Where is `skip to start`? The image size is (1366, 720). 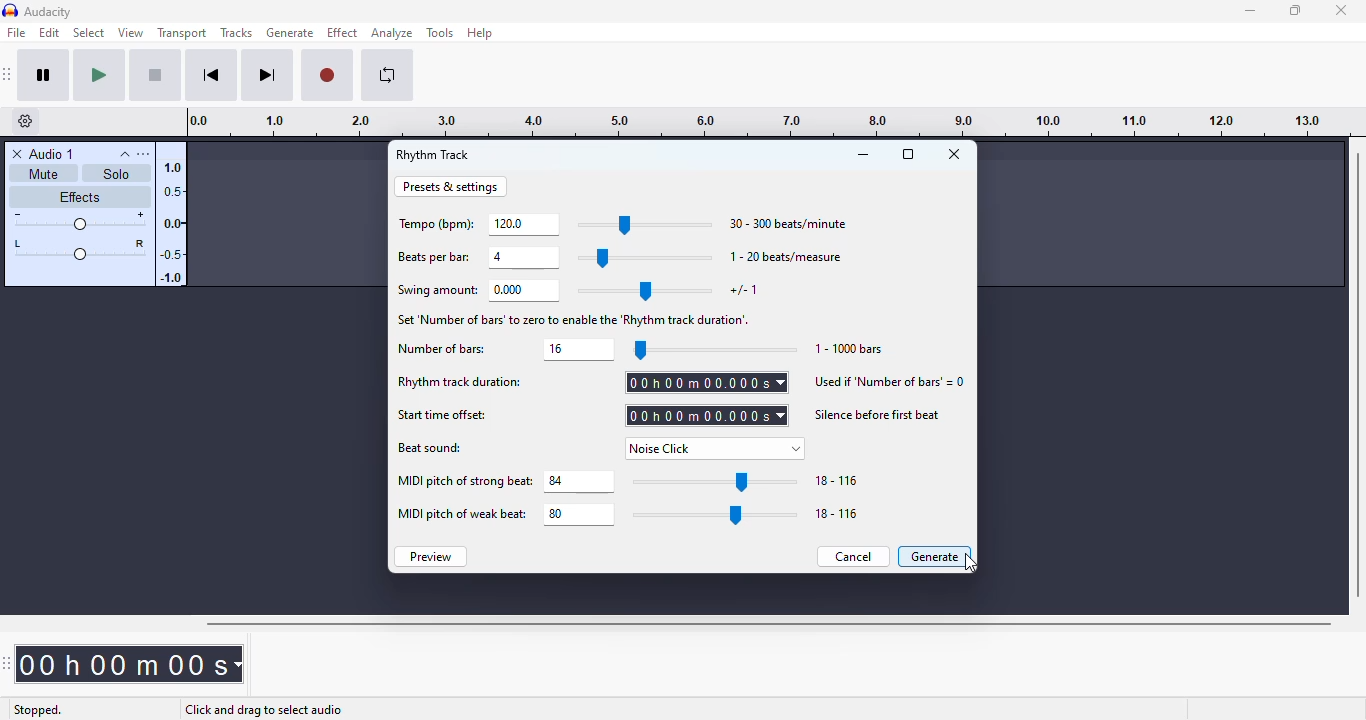 skip to start is located at coordinates (212, 75).